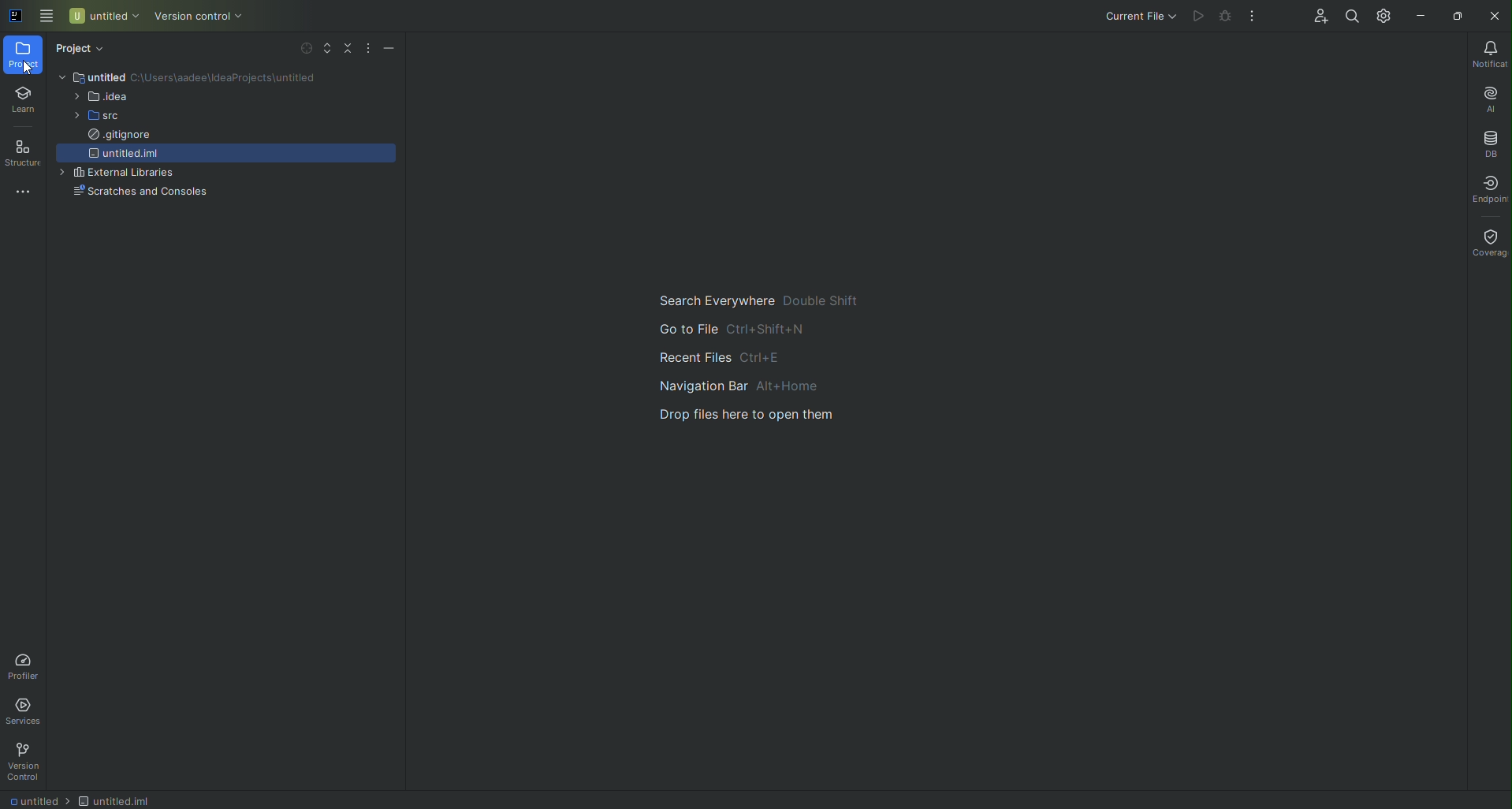  I want to click on Untitled, so click(109, 77).